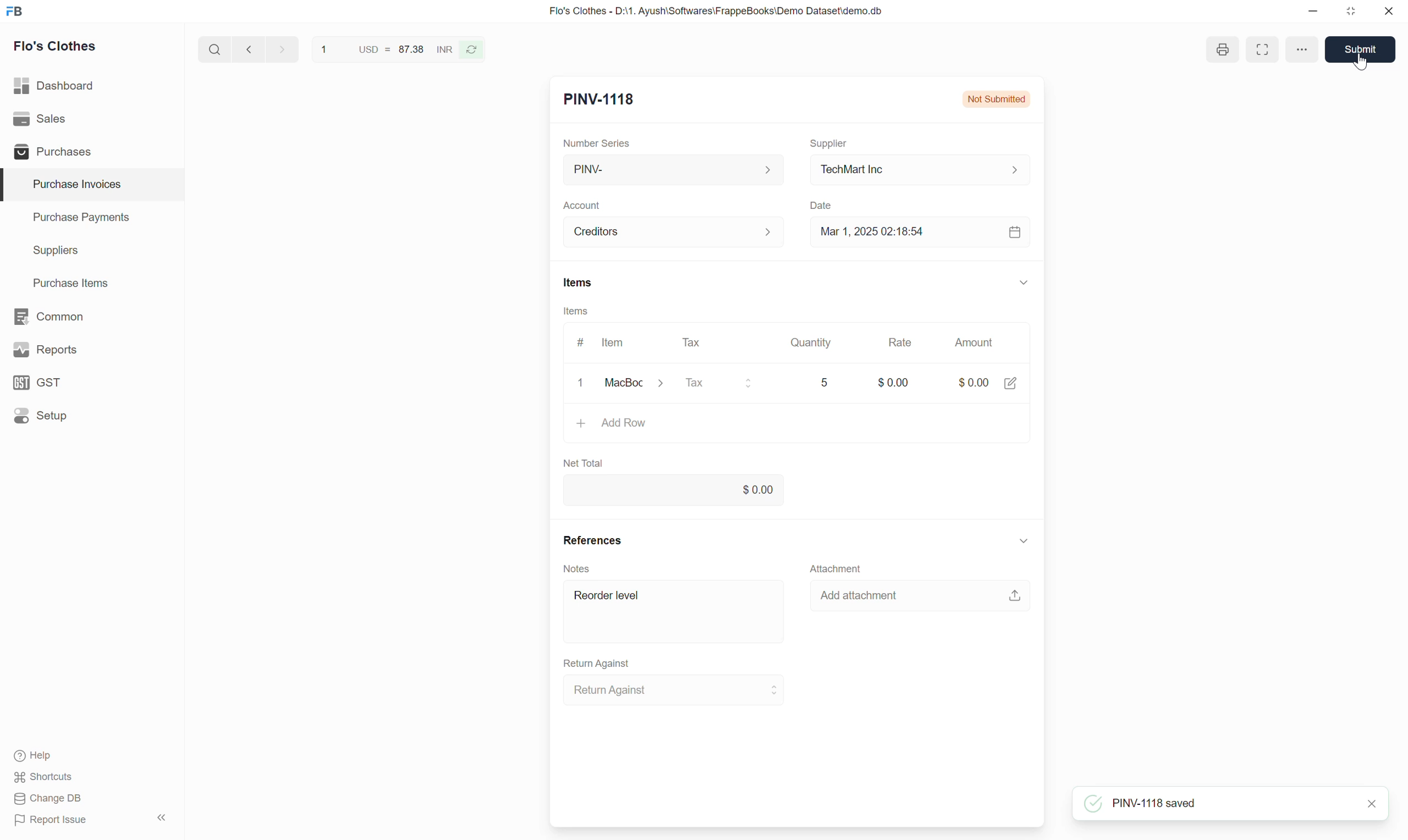  What do you see at coordinates (92, 284) in the screenshot?
I see `Purchase Items` at bounding box center [92, 284].